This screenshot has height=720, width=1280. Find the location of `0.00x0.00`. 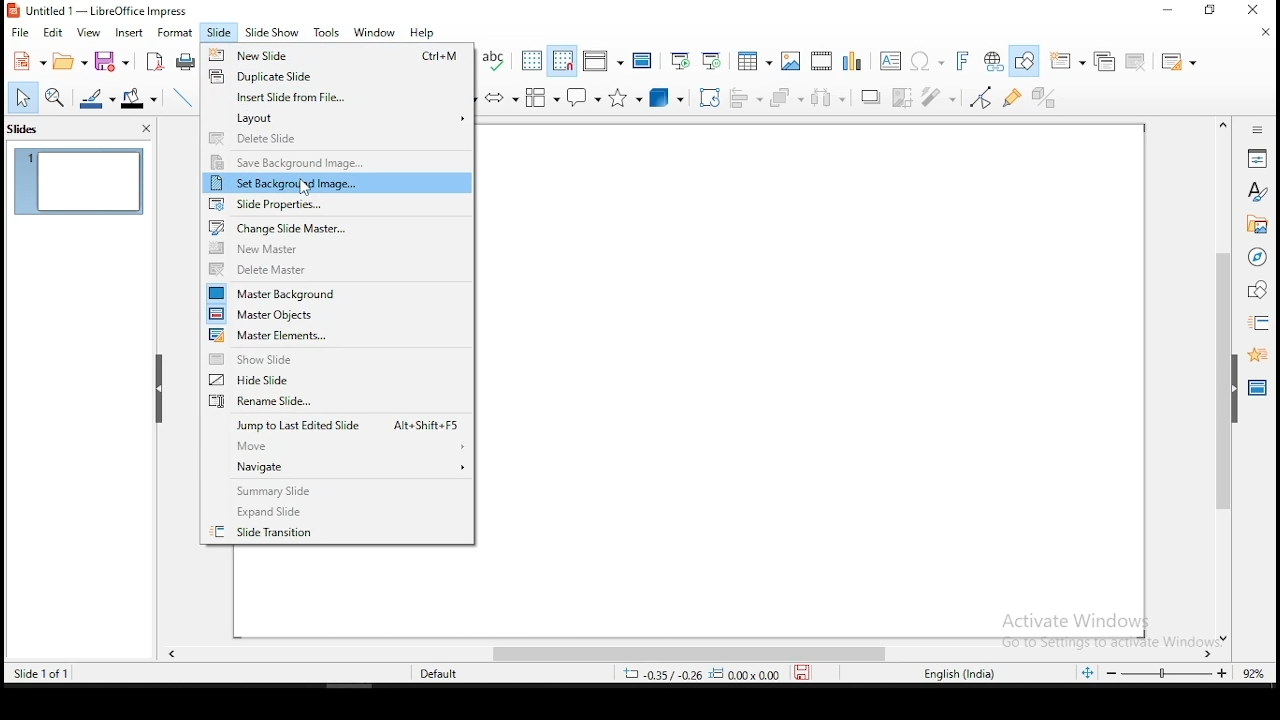

0.00x0.00 is located at coordinates (746, 675).